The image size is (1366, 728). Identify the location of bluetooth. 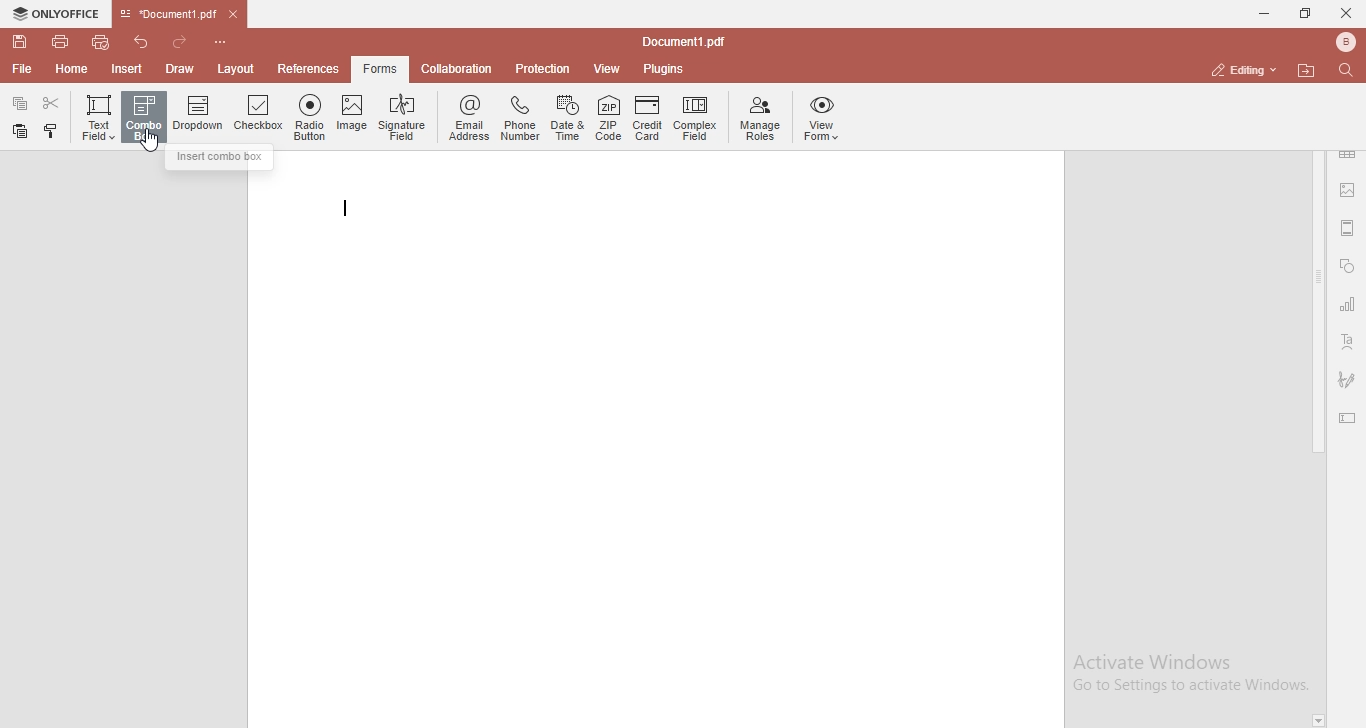
(1340, 42).